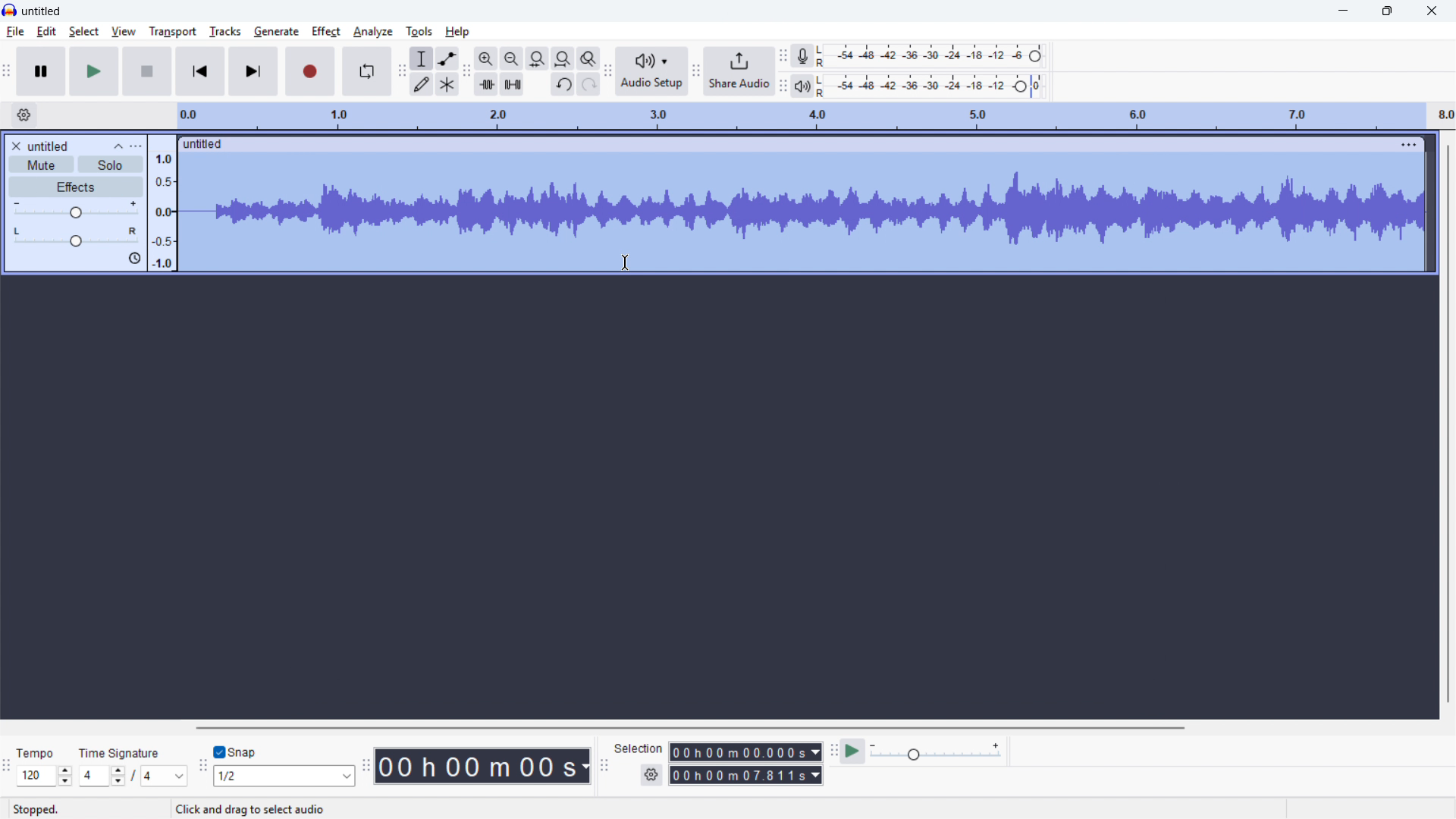  I want to click on mute, so click(42, 165).